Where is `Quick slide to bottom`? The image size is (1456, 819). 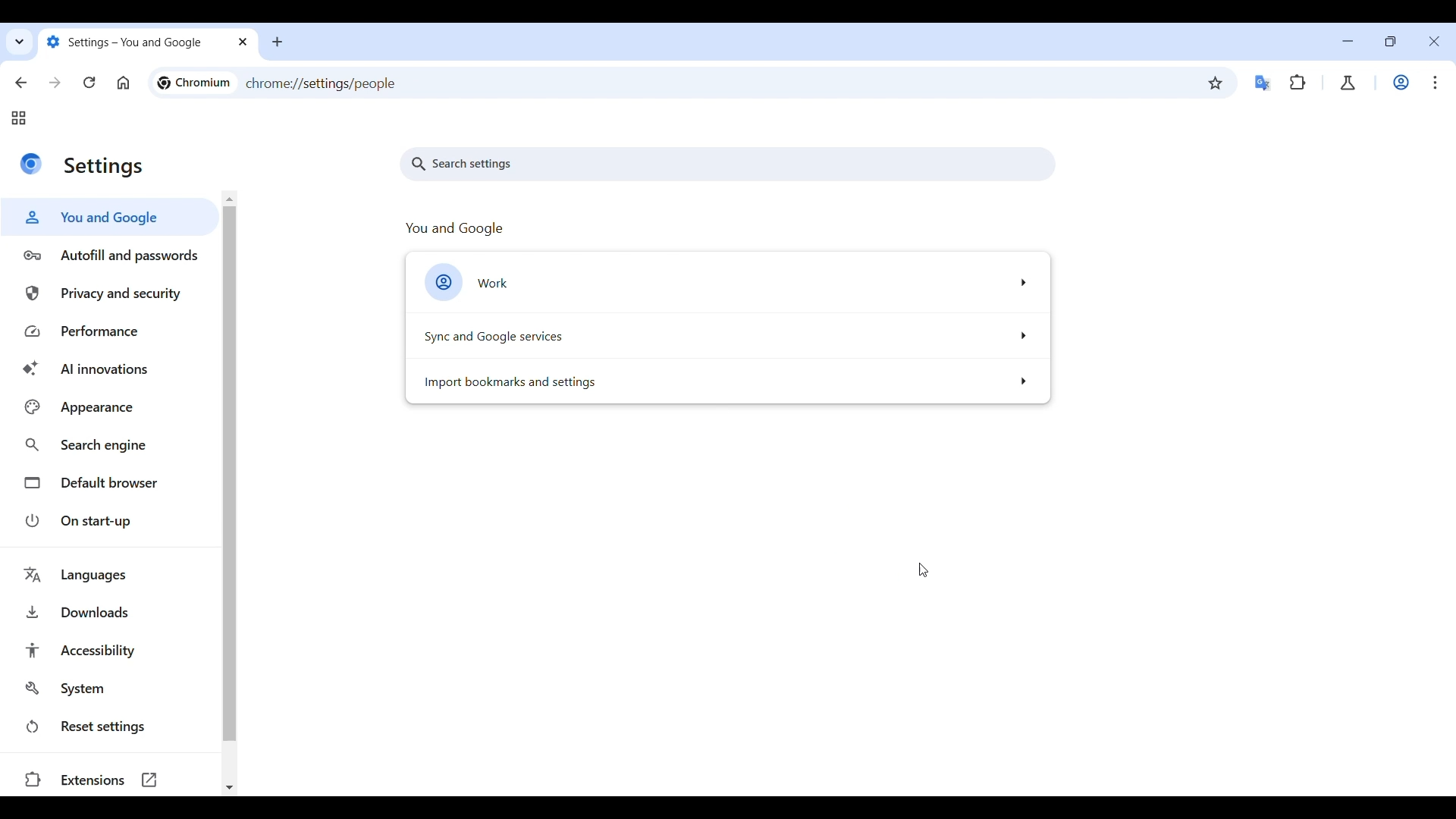 Quick slide to bottom is located at coordinates (230, 788).